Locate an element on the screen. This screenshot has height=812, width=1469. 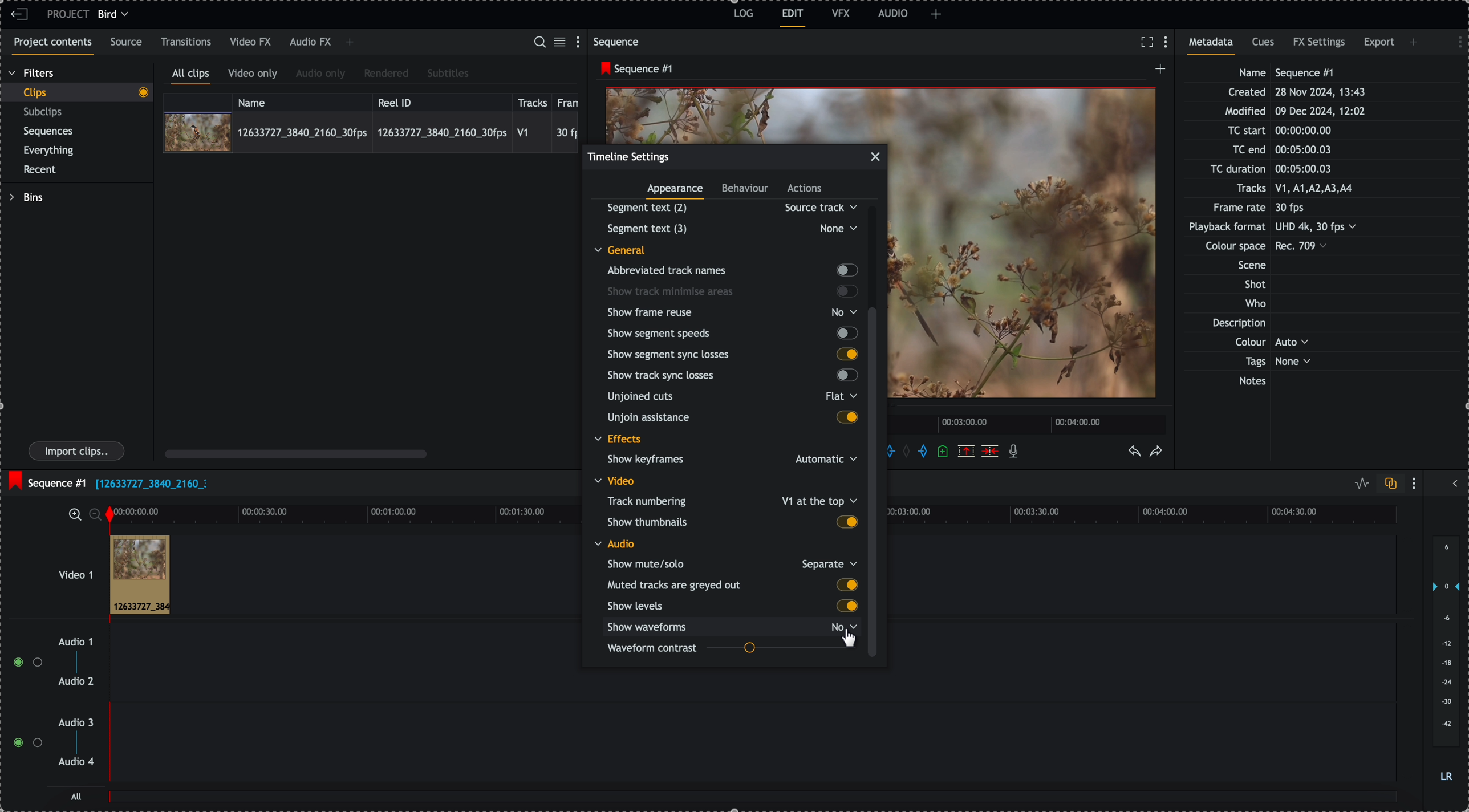
name is located at coordinates (302, 101).